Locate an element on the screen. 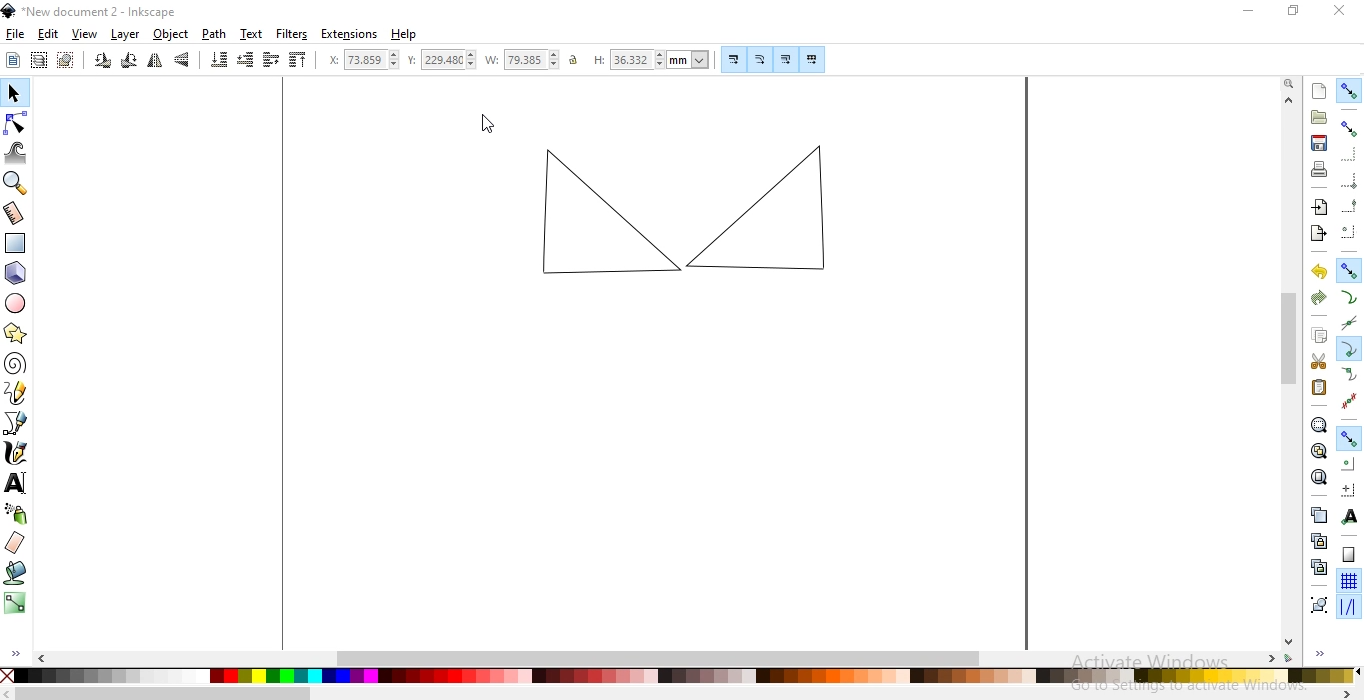 Image resolution: width=1364 pixels, height=700 pixels. export document is located at coordinates (1316, 233).